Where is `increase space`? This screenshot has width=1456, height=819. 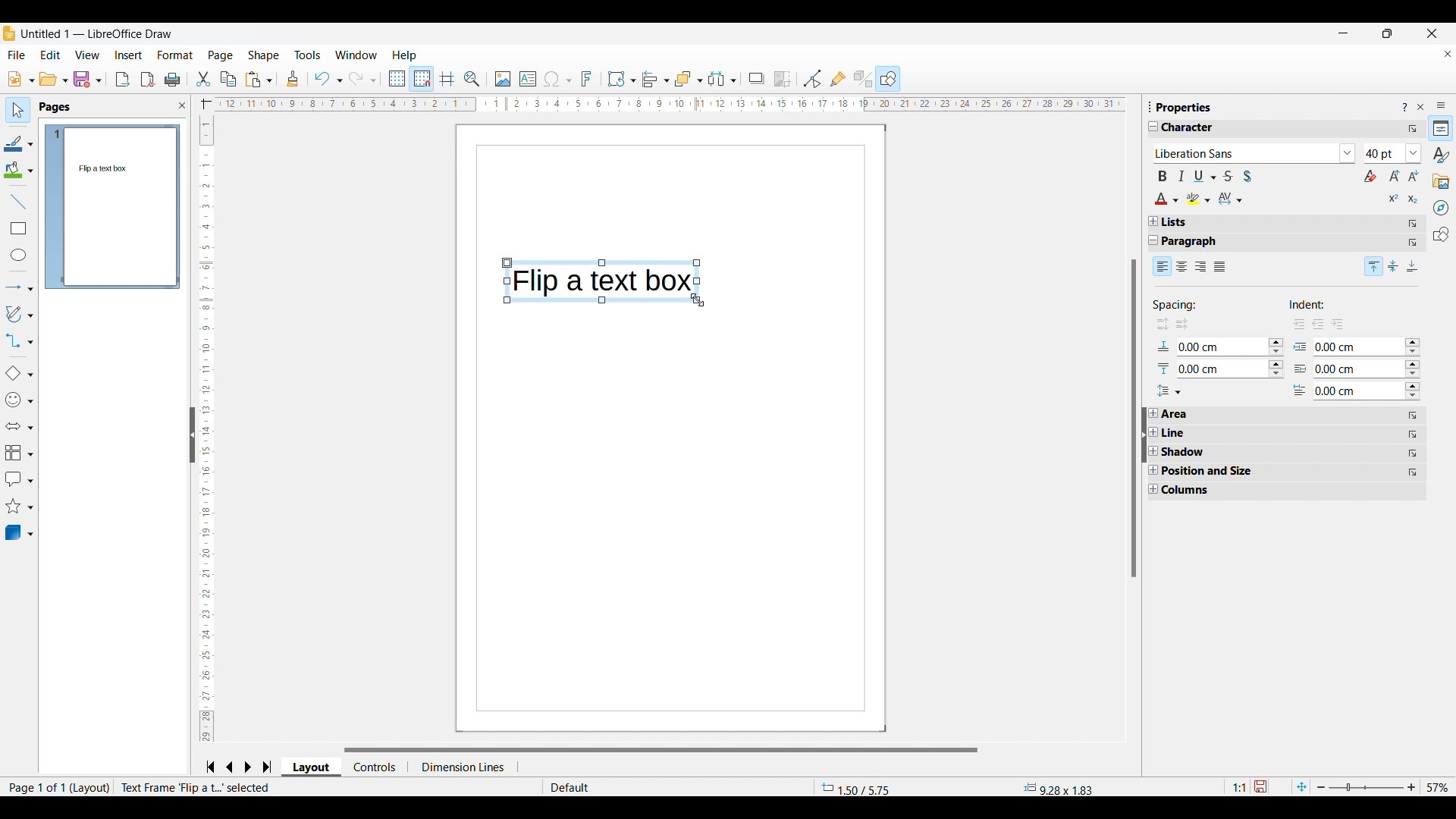 increase space is located at coordinates (1159, 325).